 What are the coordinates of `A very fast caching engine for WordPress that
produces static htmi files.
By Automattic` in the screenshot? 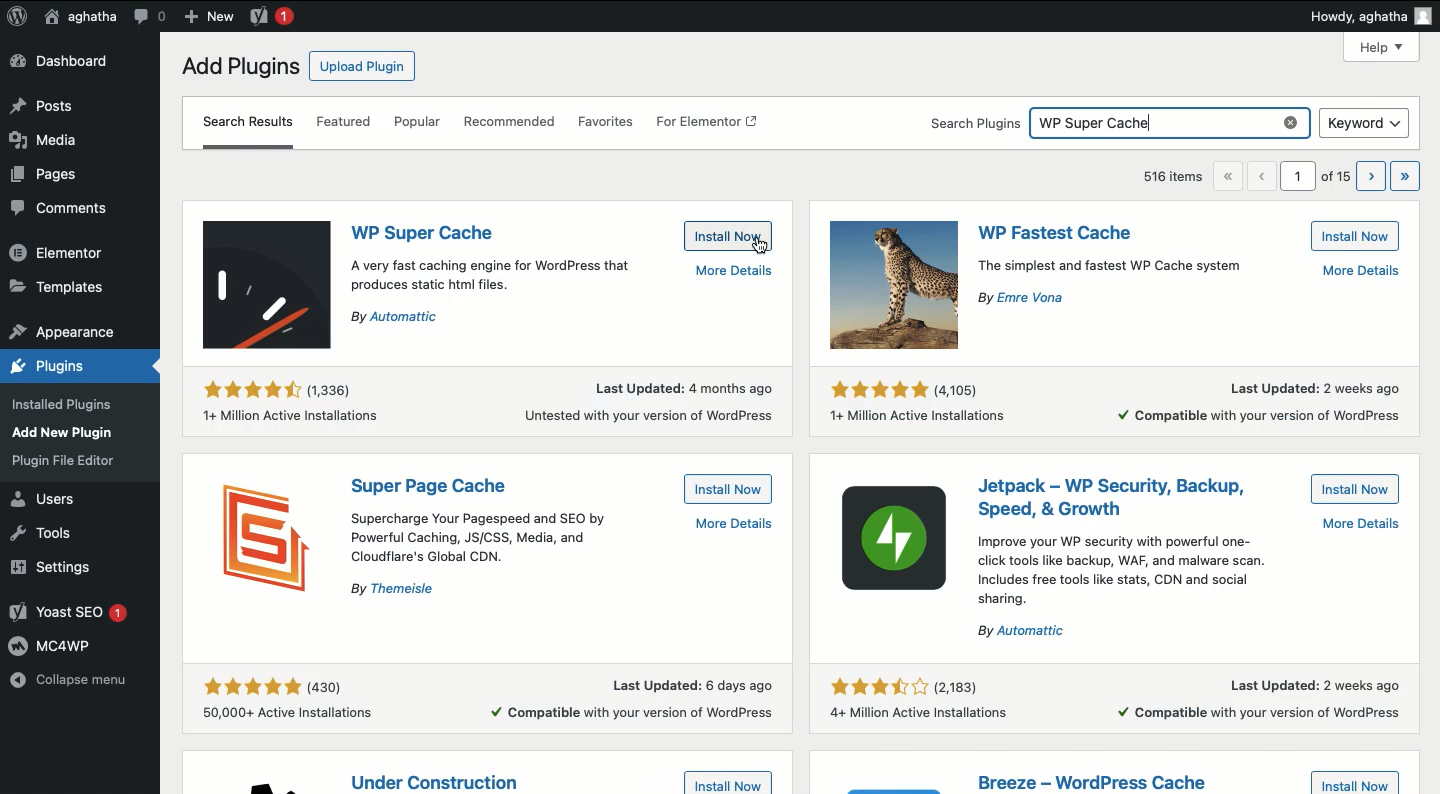 It's located at (562, 294).